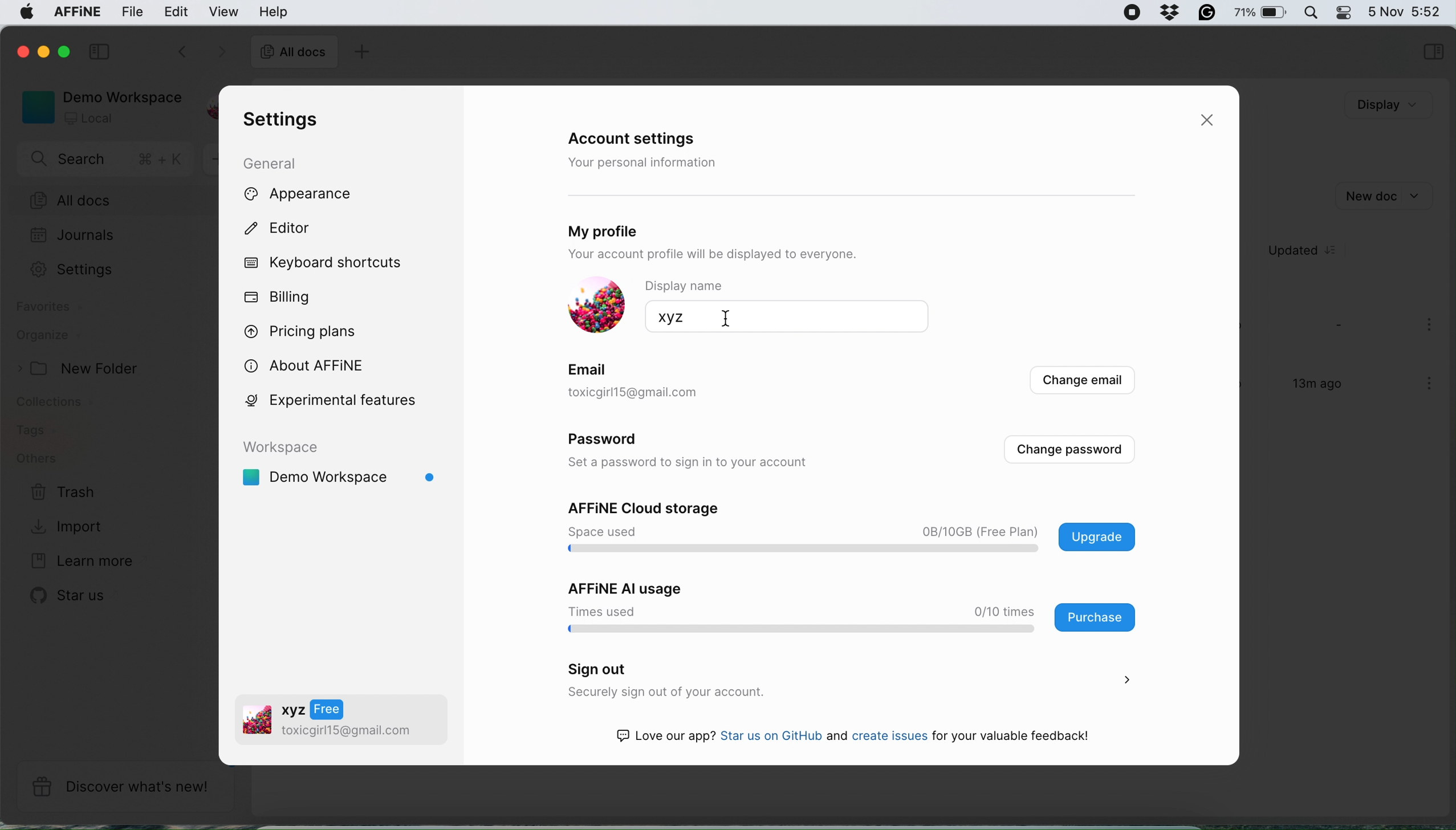  Describe the element at coordinates (108, 161) in the screenshot. I see `search` at that location.